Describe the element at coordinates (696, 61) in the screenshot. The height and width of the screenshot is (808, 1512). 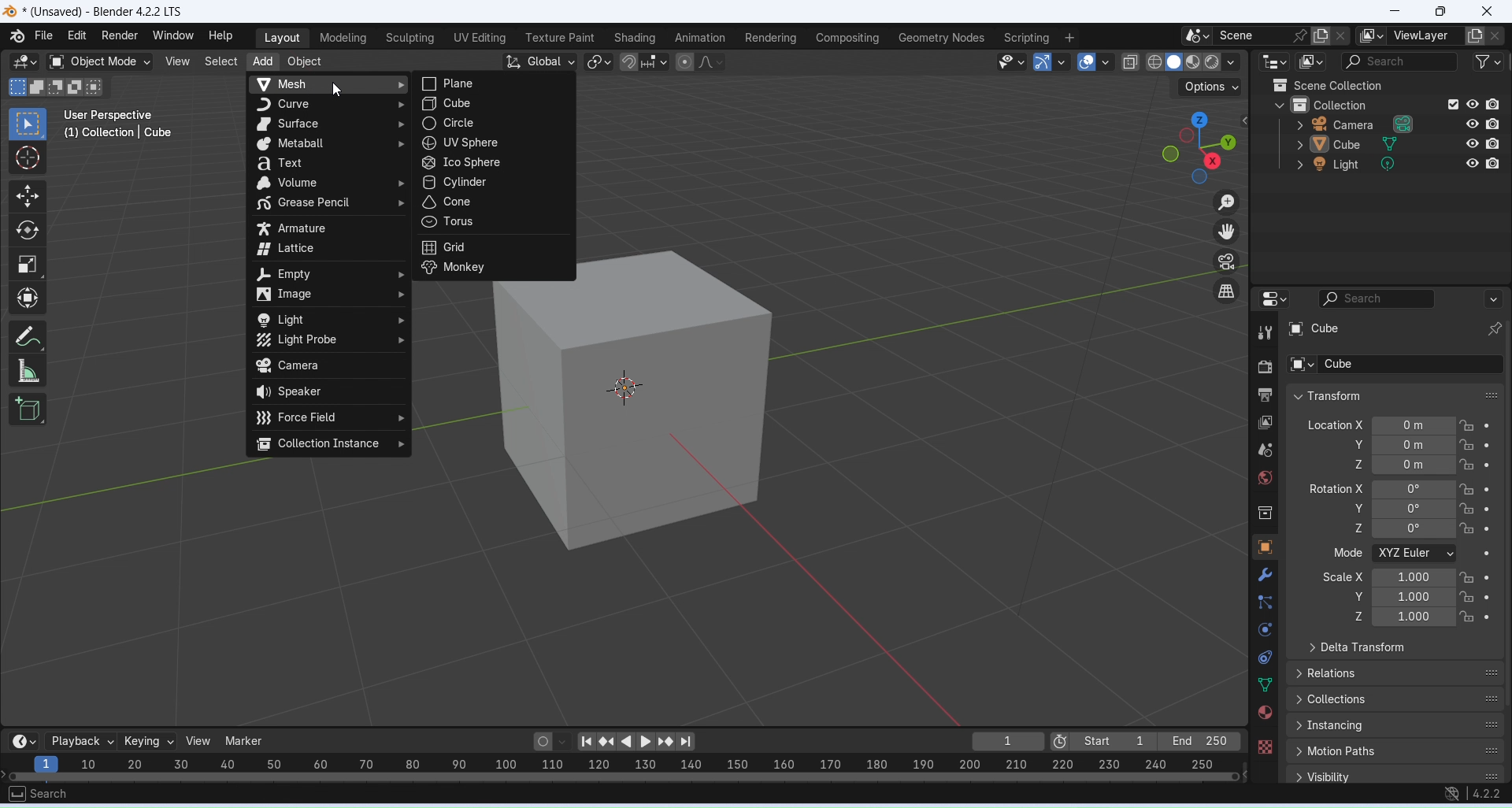
I see `Proportional Editing ` at that location.